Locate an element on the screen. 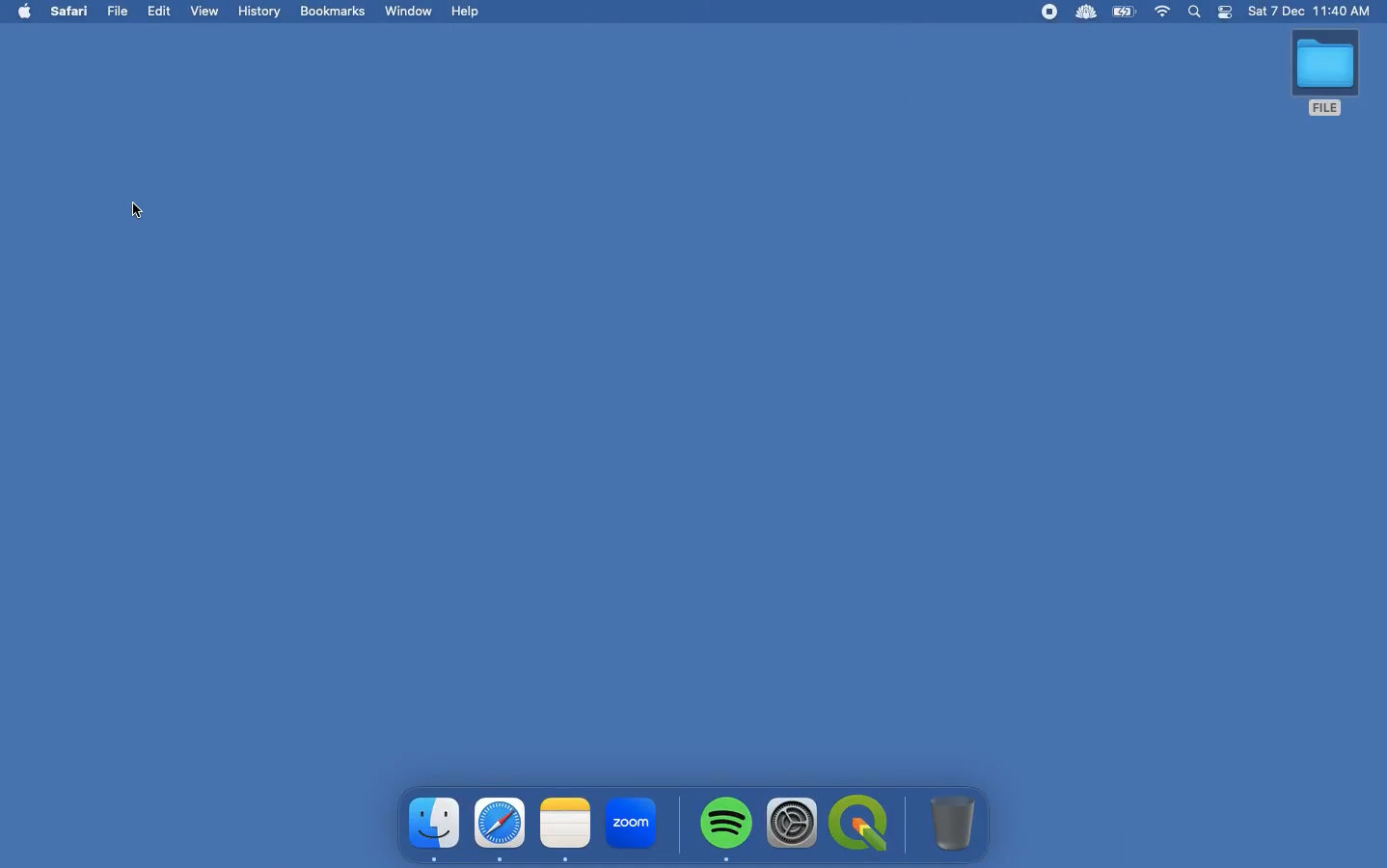 The height and width of the screenshot is (868, 1387). Notification is located at coordinates (1223, 14).